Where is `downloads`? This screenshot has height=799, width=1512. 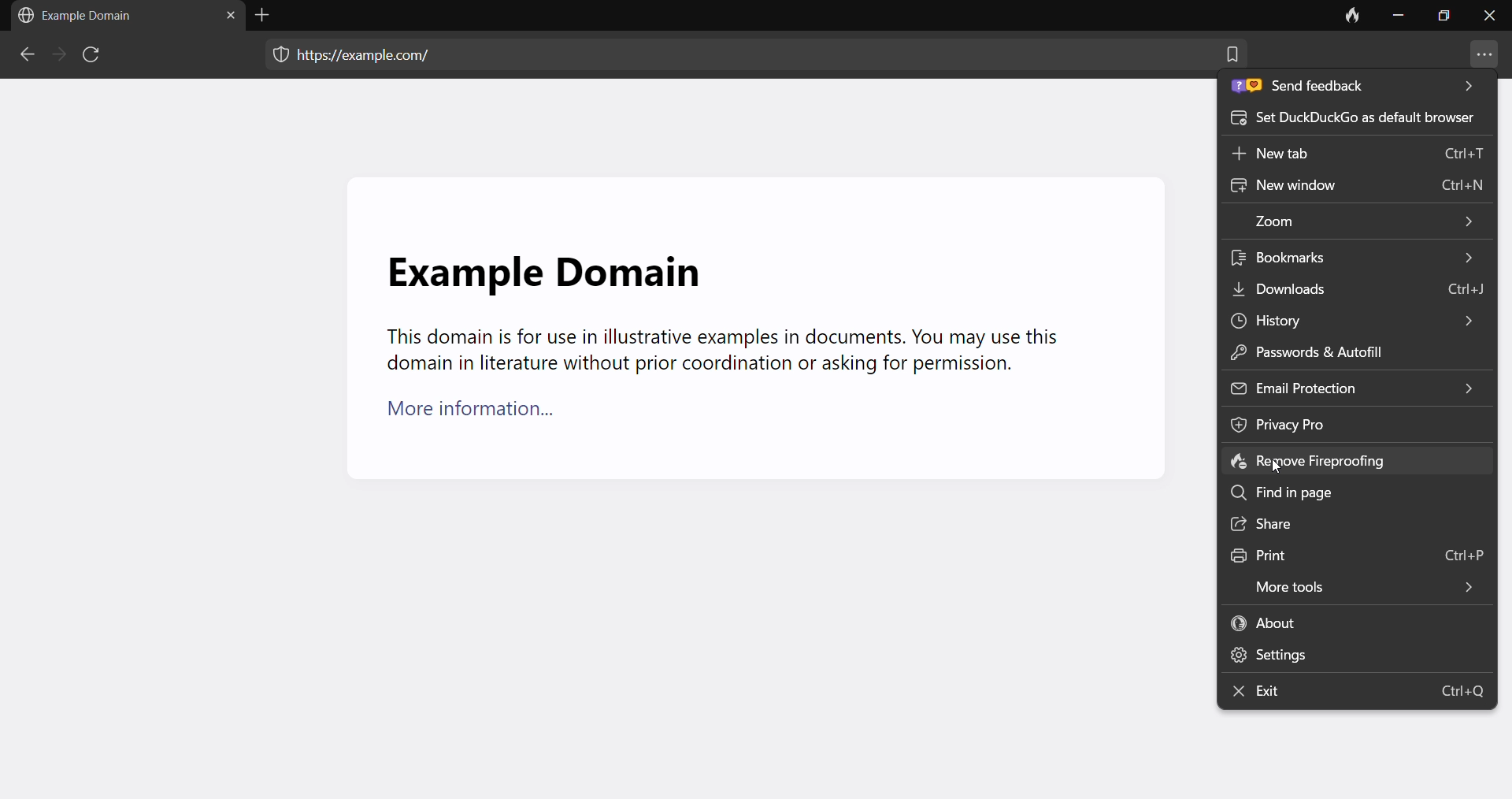 downloads is located at coordinates (1360, 287).